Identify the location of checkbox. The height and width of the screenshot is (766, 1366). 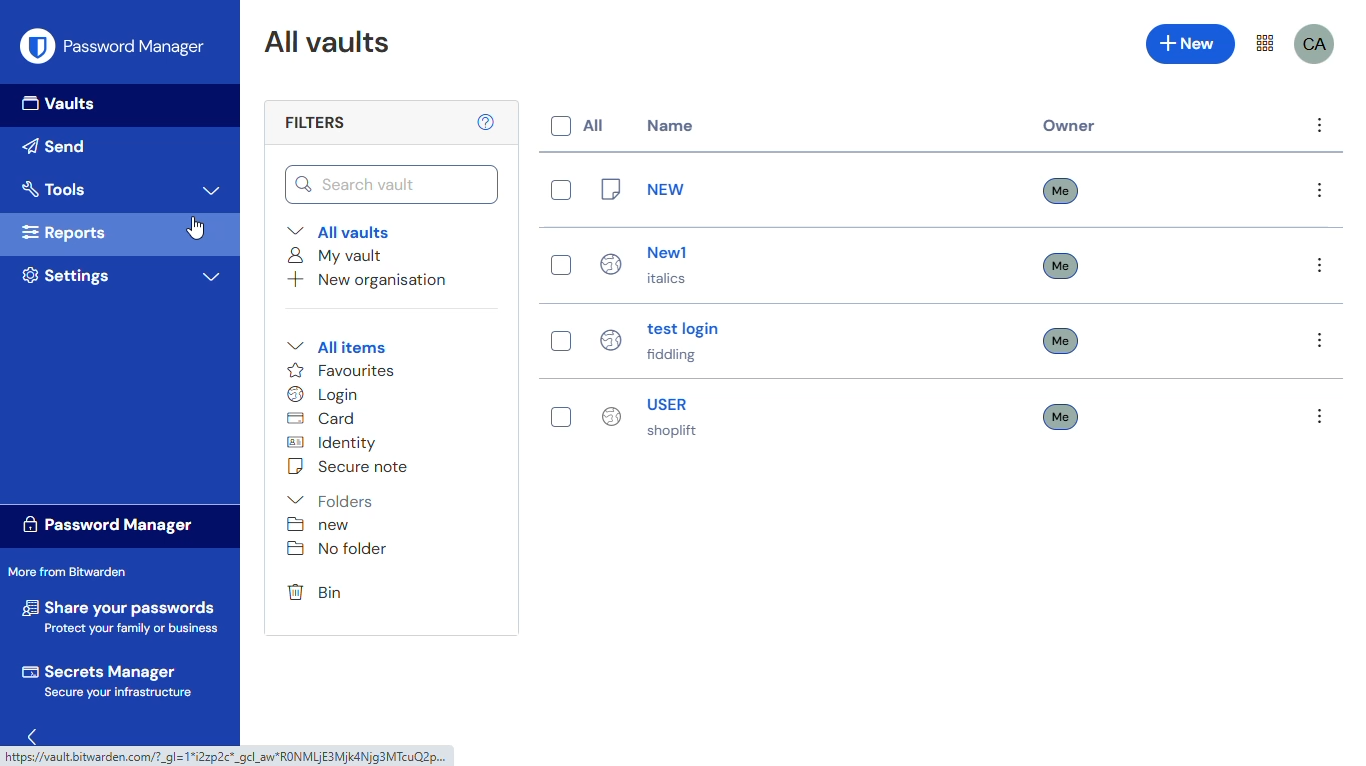
(562, 417).